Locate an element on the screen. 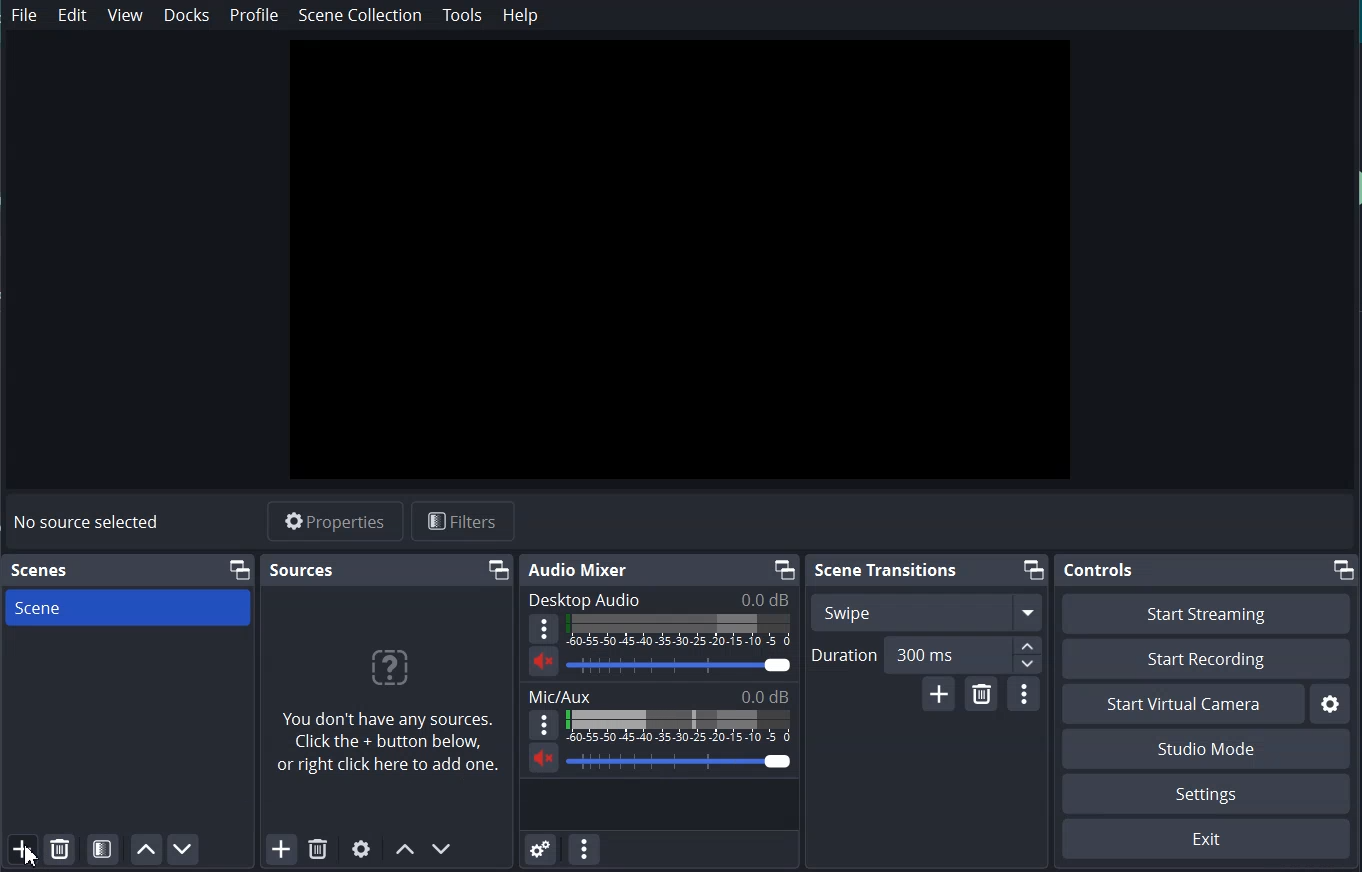  Exit is located at coordinates (1207, 838).